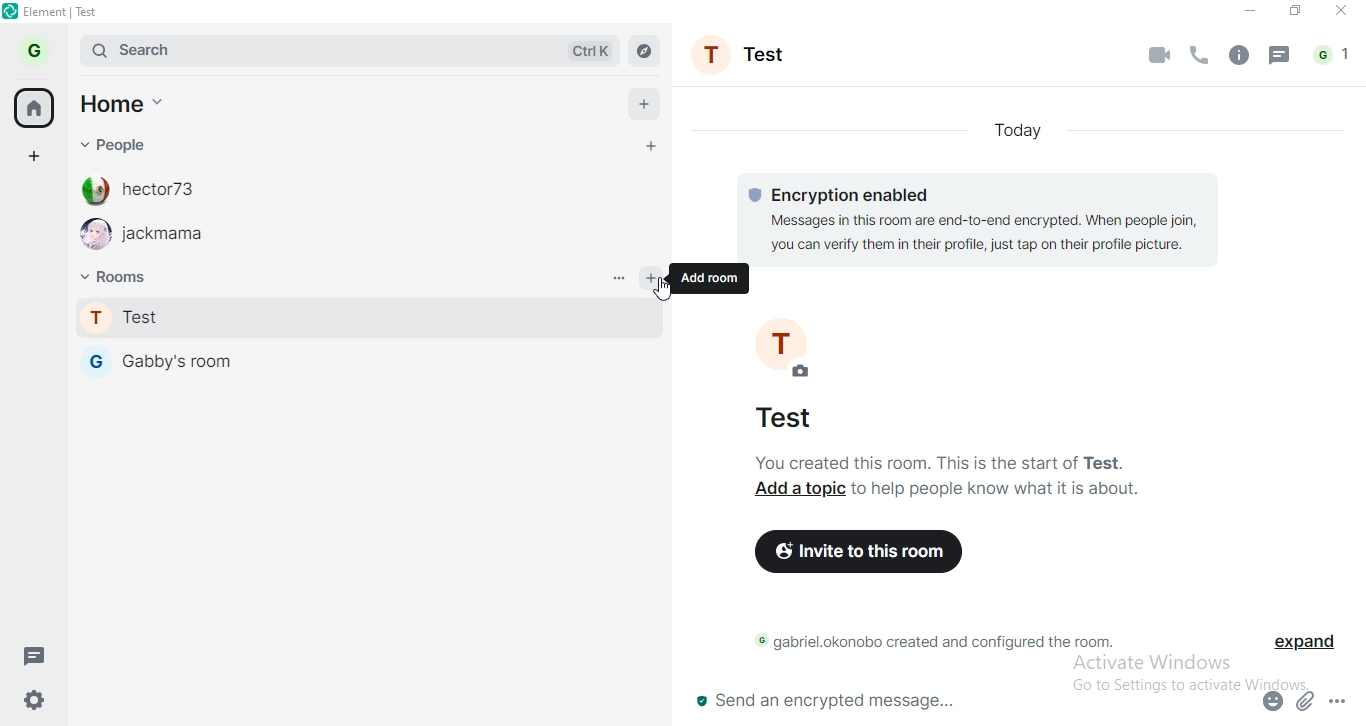 Image resolution: width=1366 pixels, height=726 pixels. Describe the element at coordinates (710, 278) in the screenshot. I see `add room` at that location.